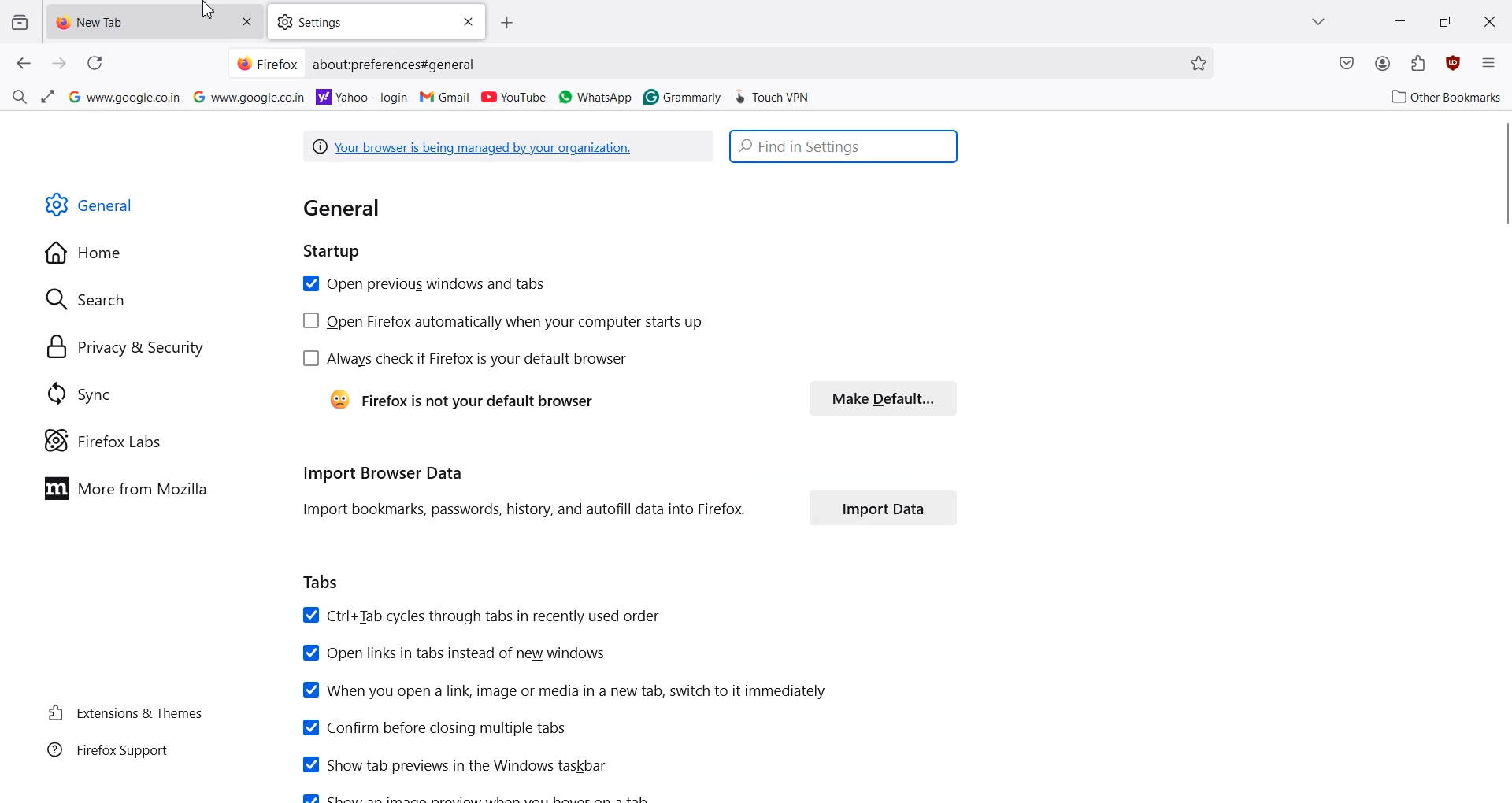  Describe the element at coordinates (466, 21) in the screenshot. I see `Close` at that location.